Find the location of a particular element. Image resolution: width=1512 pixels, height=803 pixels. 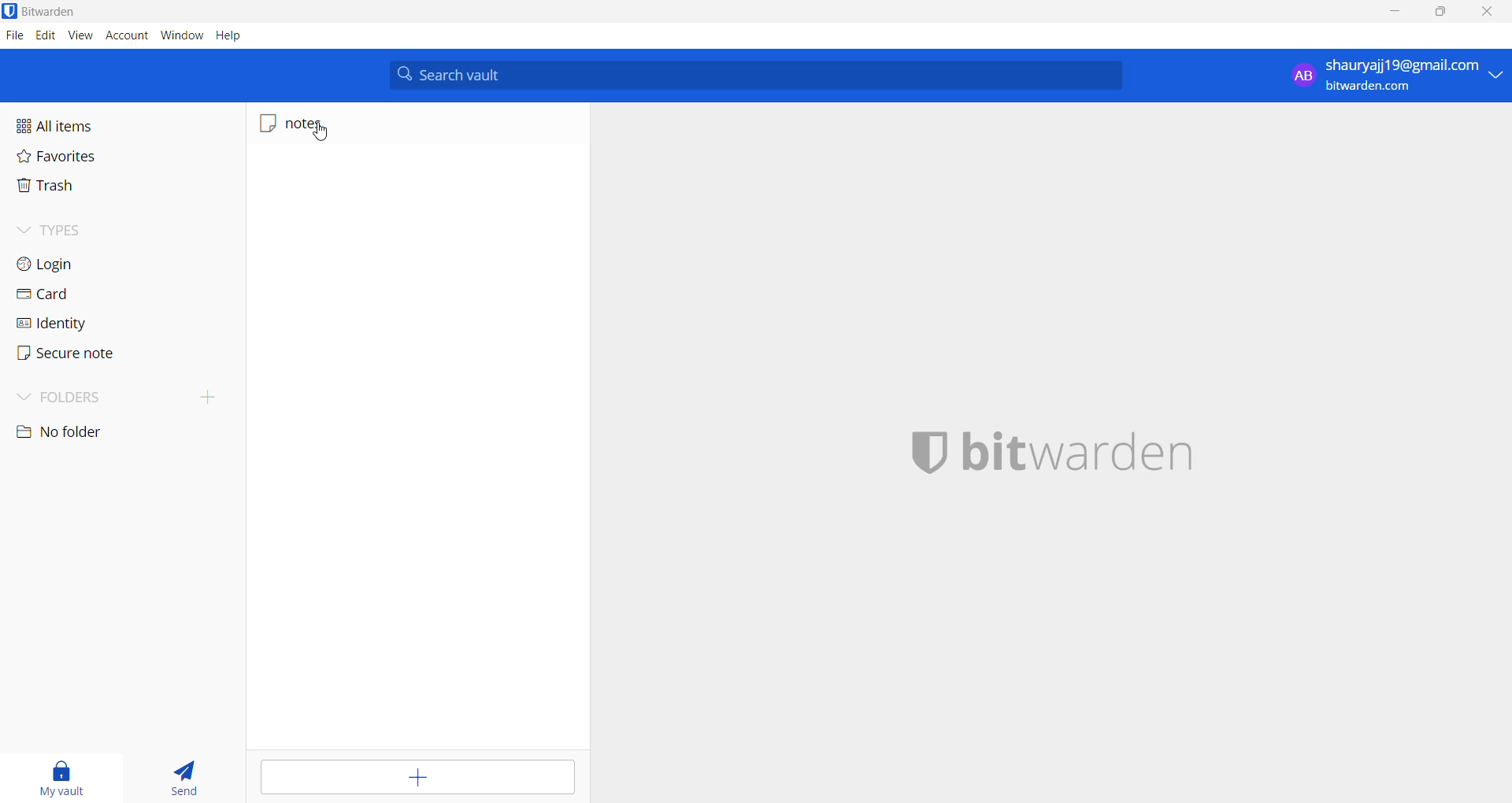

view is located at coordinates (79, 35).